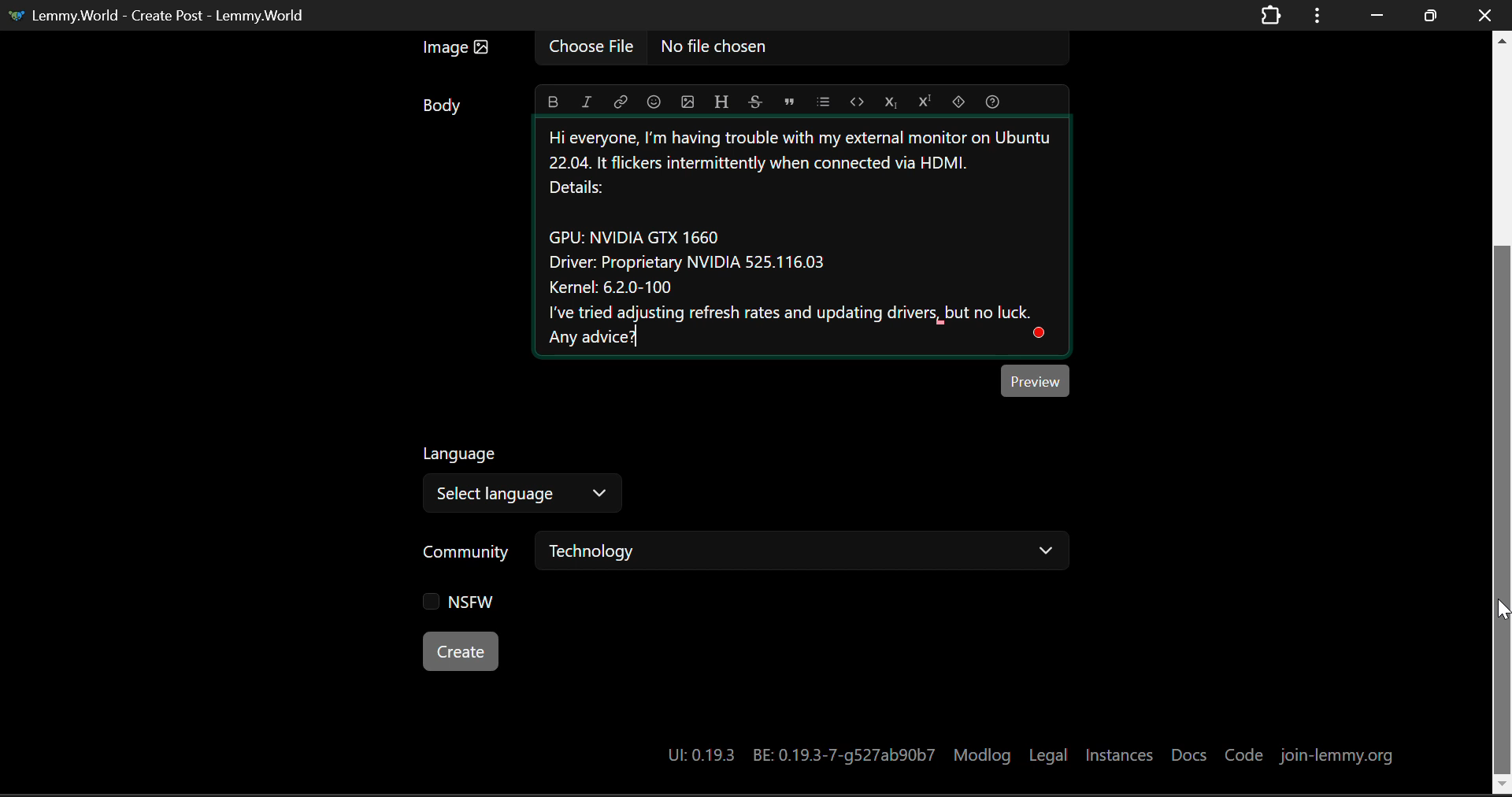  What do you see at coordinates (958, 99) in the screenshot?
I see `Spoiler` at bounding box center [958, 99].